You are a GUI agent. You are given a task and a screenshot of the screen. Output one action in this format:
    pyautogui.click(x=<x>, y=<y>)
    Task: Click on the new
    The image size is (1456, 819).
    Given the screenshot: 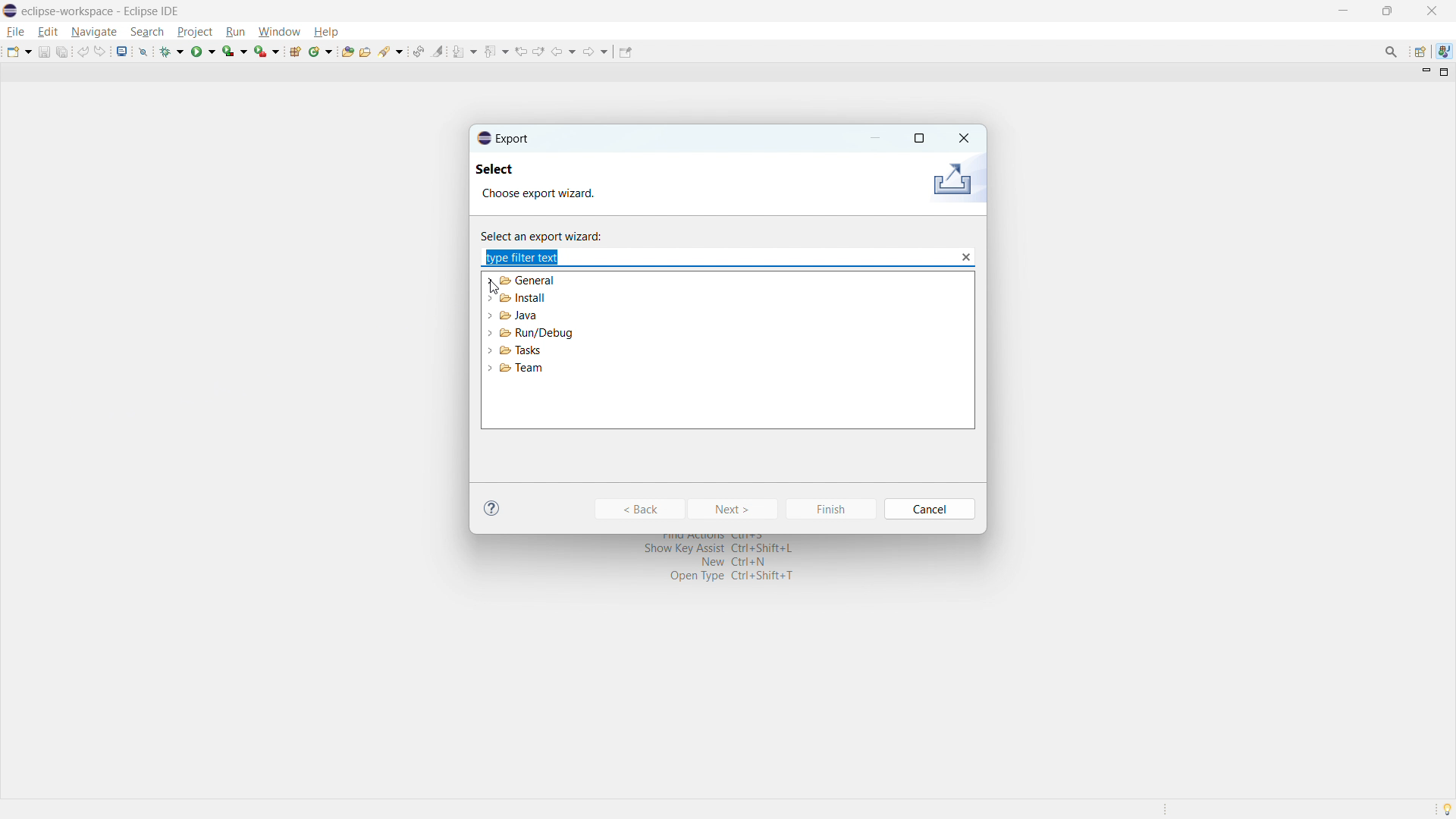 What is the action you would take?
    pyautogui.click(x=19, y=52)
    